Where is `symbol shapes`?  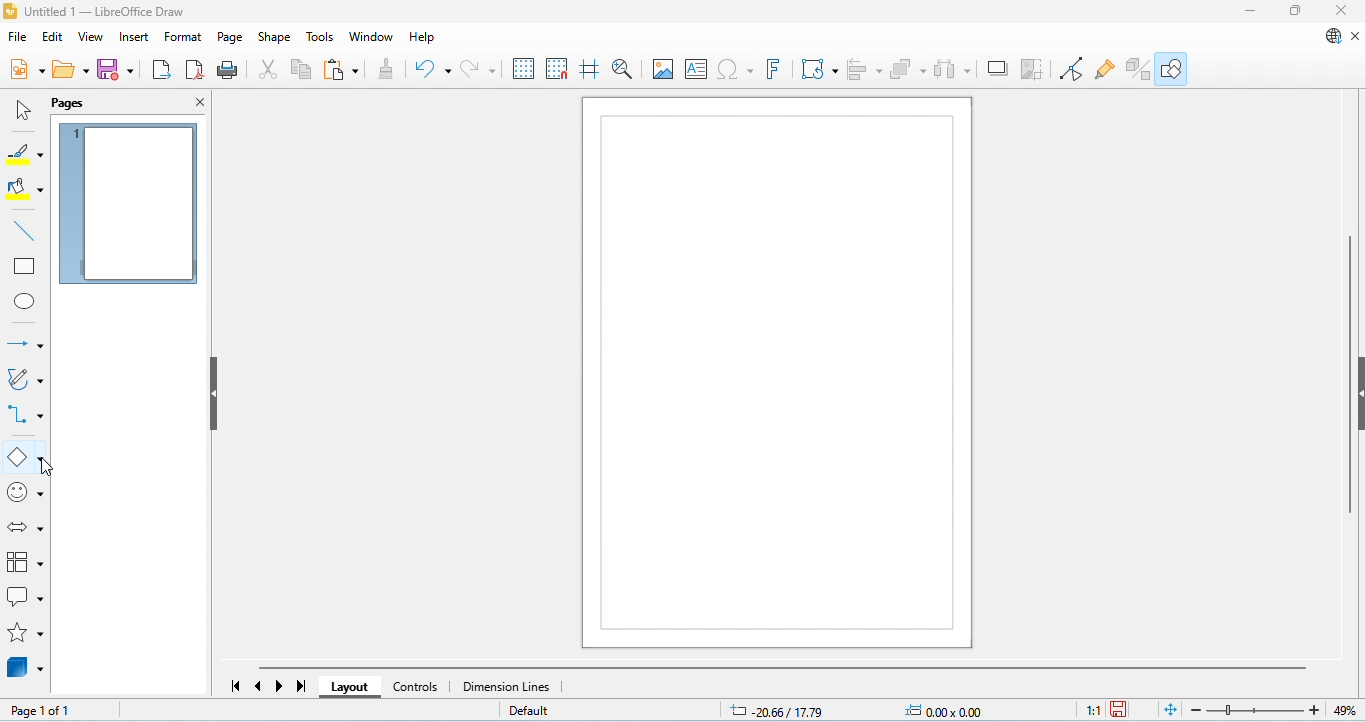 symbol shapes is located at coordinates (26, 493).